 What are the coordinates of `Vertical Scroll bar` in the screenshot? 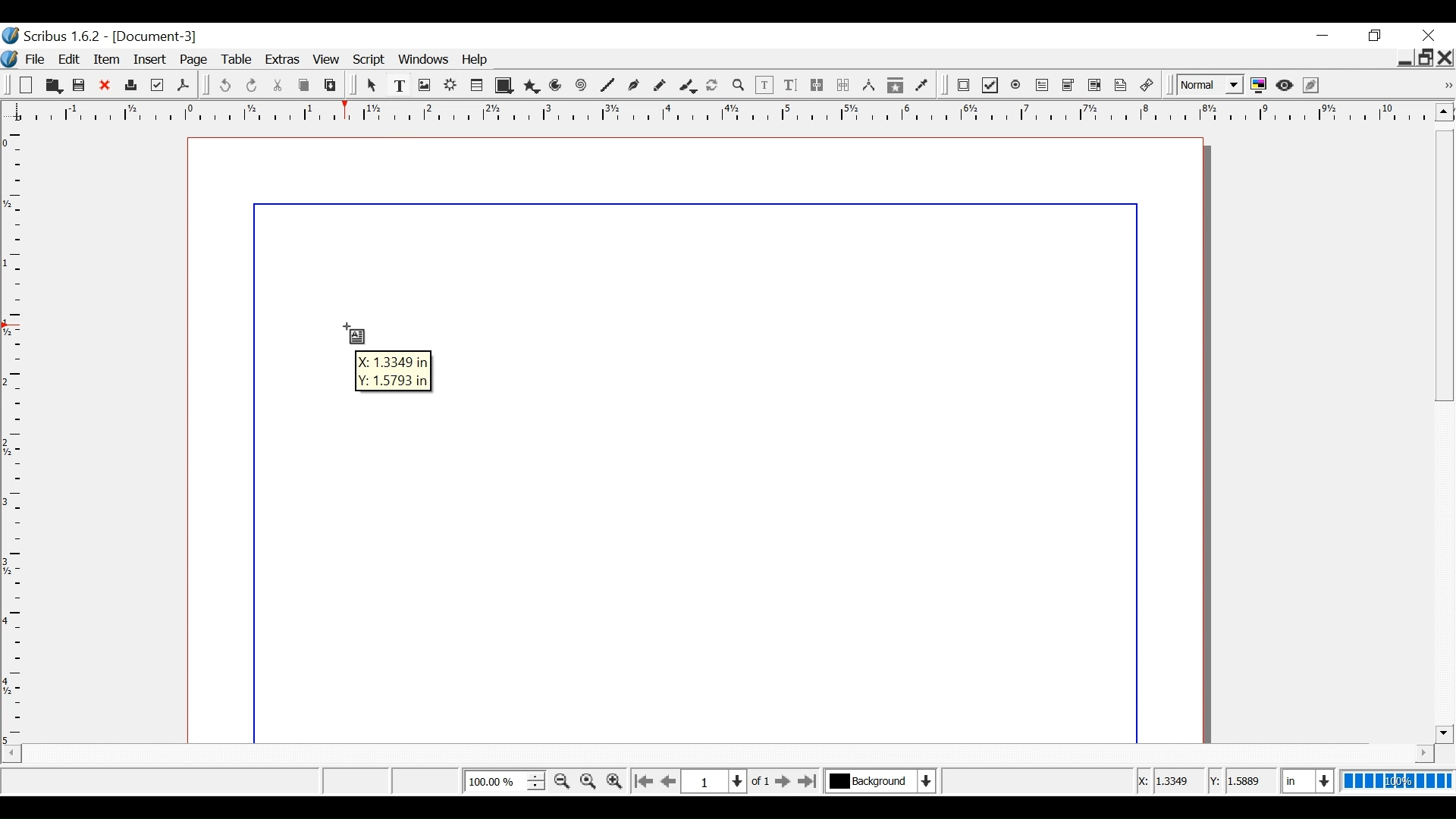 It's located at (1444, 264).